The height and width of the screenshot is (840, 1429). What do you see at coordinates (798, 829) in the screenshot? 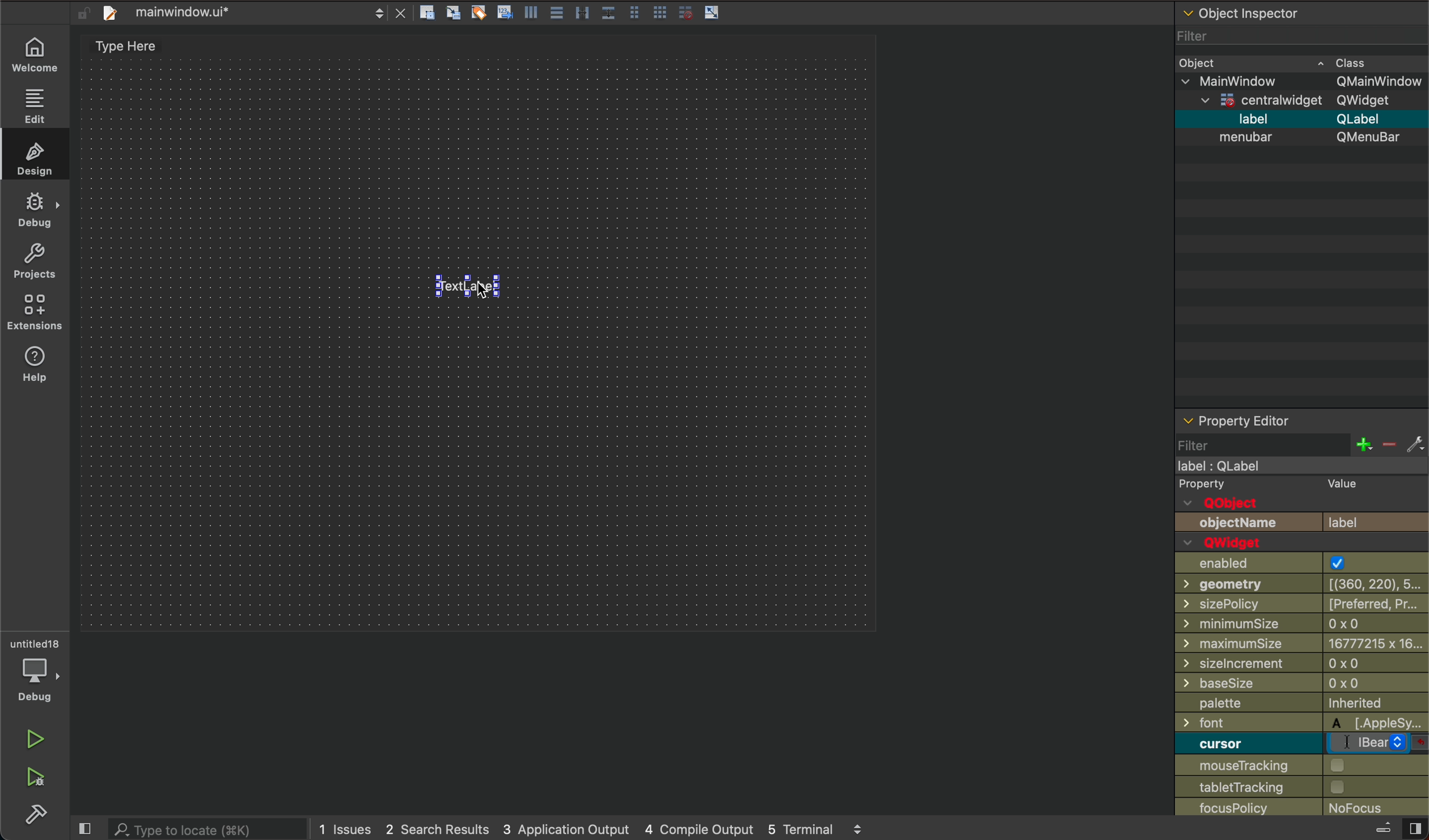
I see `5 terminal` at bounding box center [798, 829].